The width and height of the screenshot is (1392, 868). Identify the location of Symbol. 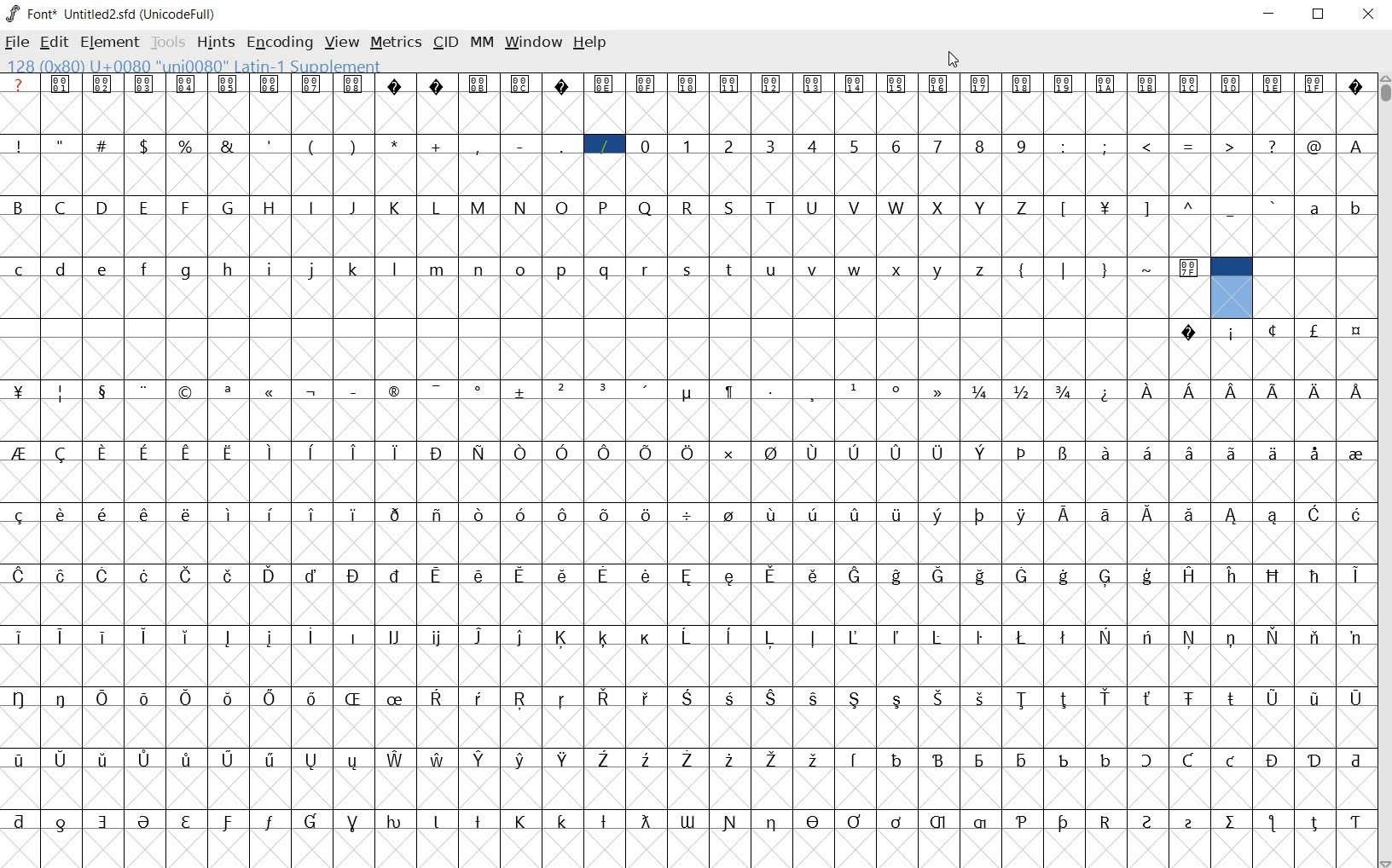
(312, 84).